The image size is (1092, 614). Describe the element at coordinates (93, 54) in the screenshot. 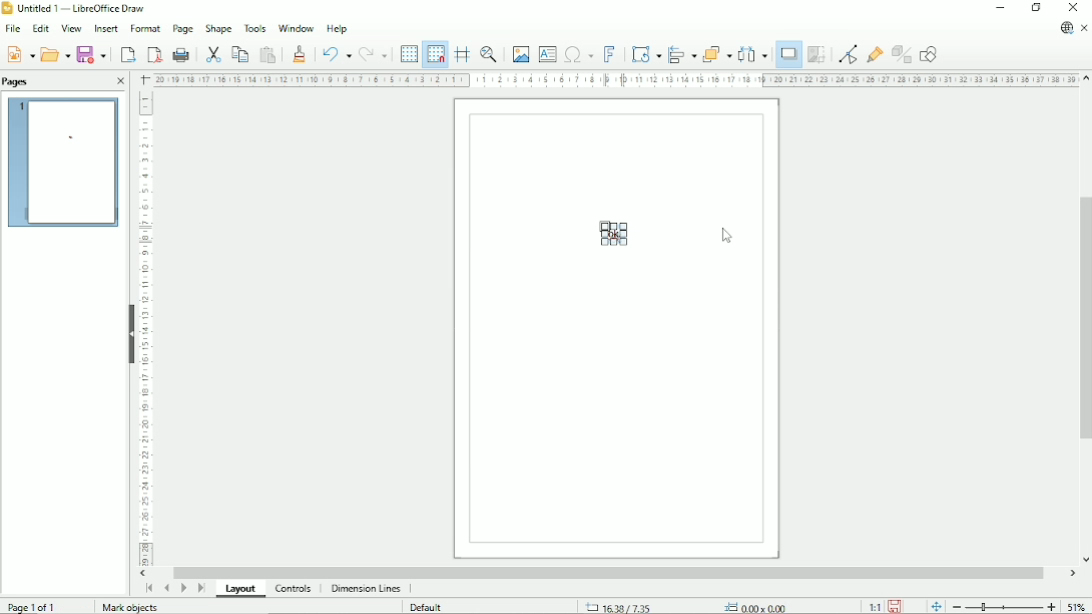

I see `Save` at that location.